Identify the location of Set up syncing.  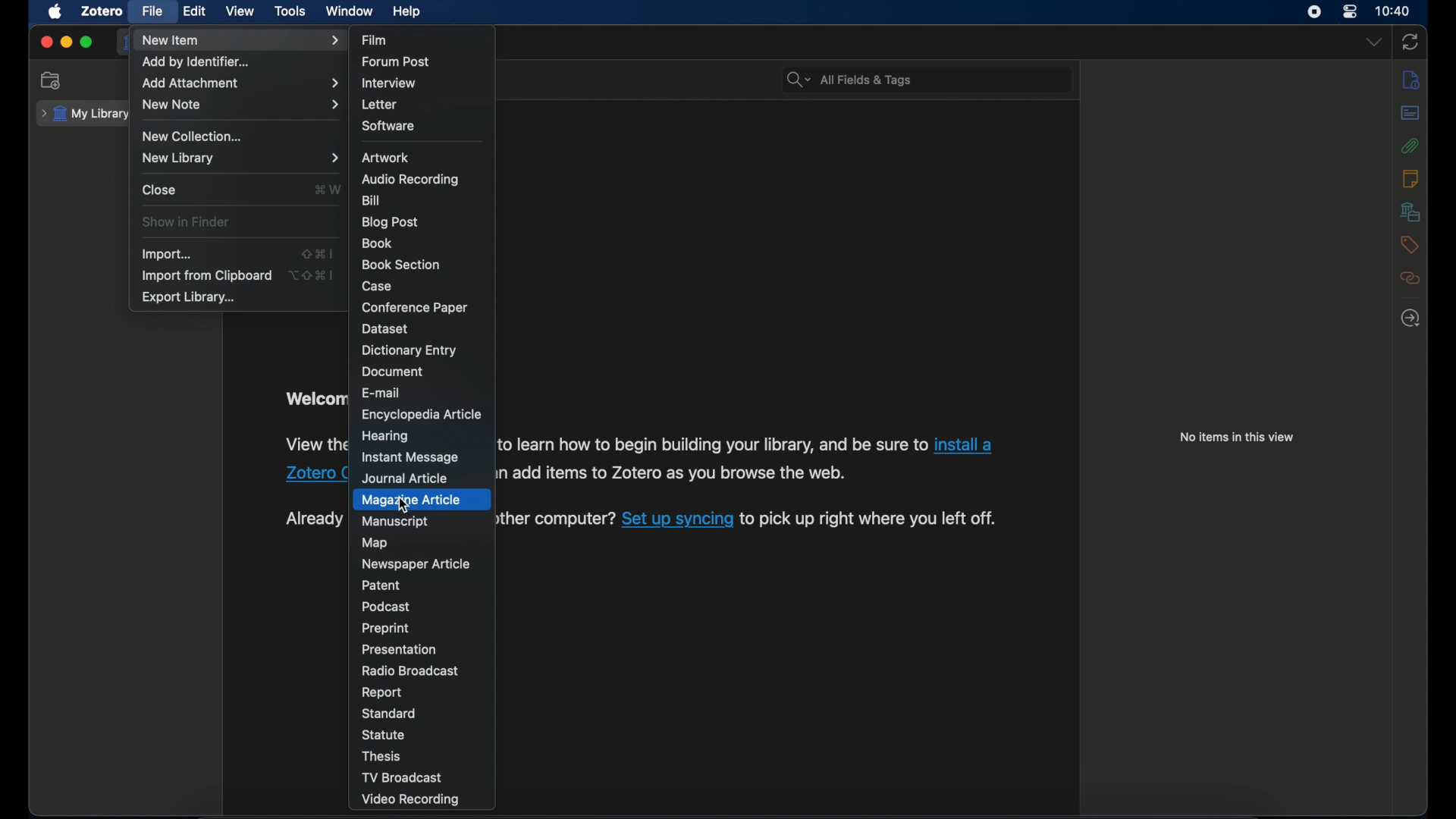
(678, 521).